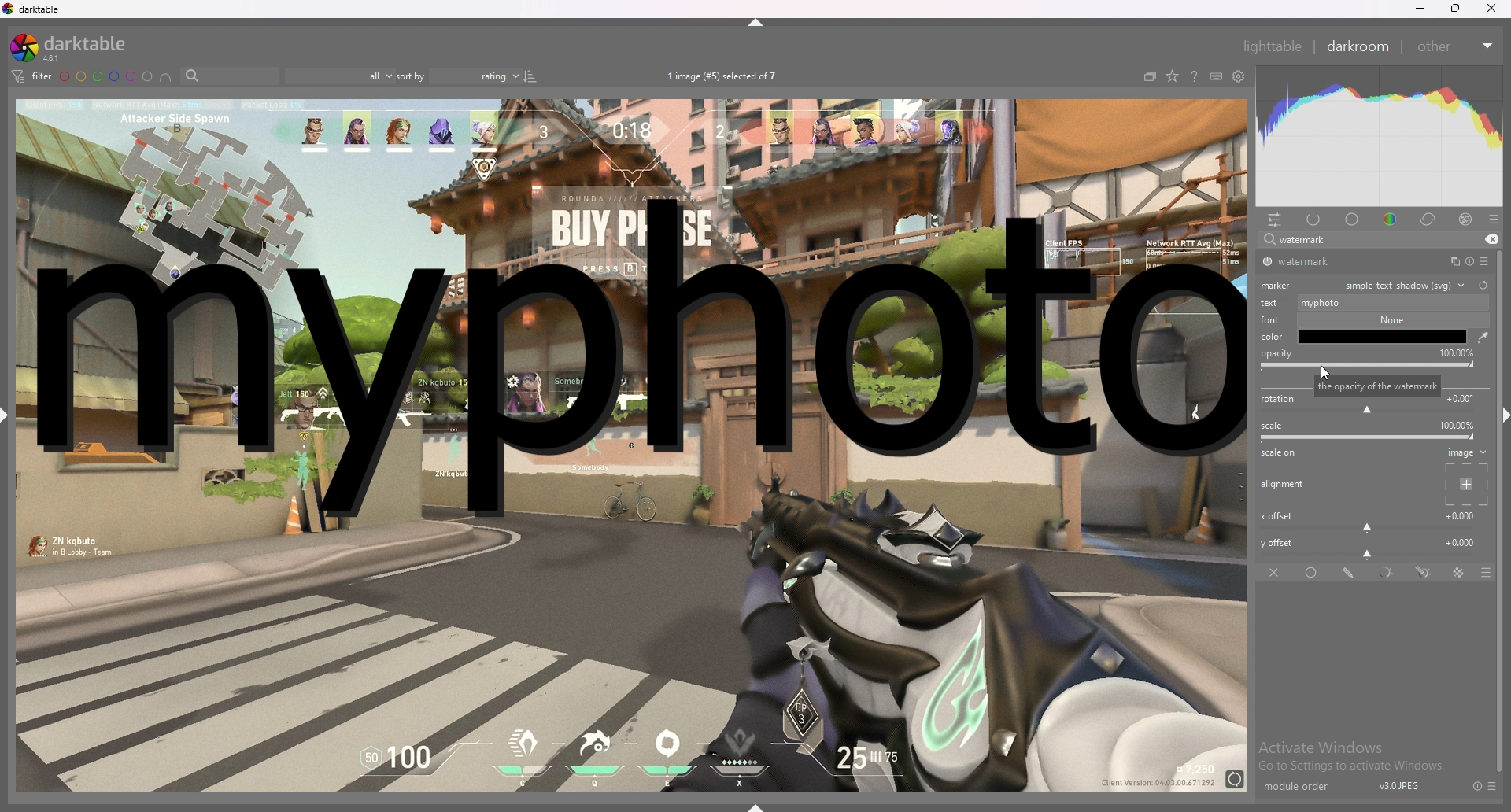 The width and height of the screenshot is (1511, 812). What do you see at coordinates (638, 370) in the screenshot?
I see `watermark` at bounding box center [638, 370].